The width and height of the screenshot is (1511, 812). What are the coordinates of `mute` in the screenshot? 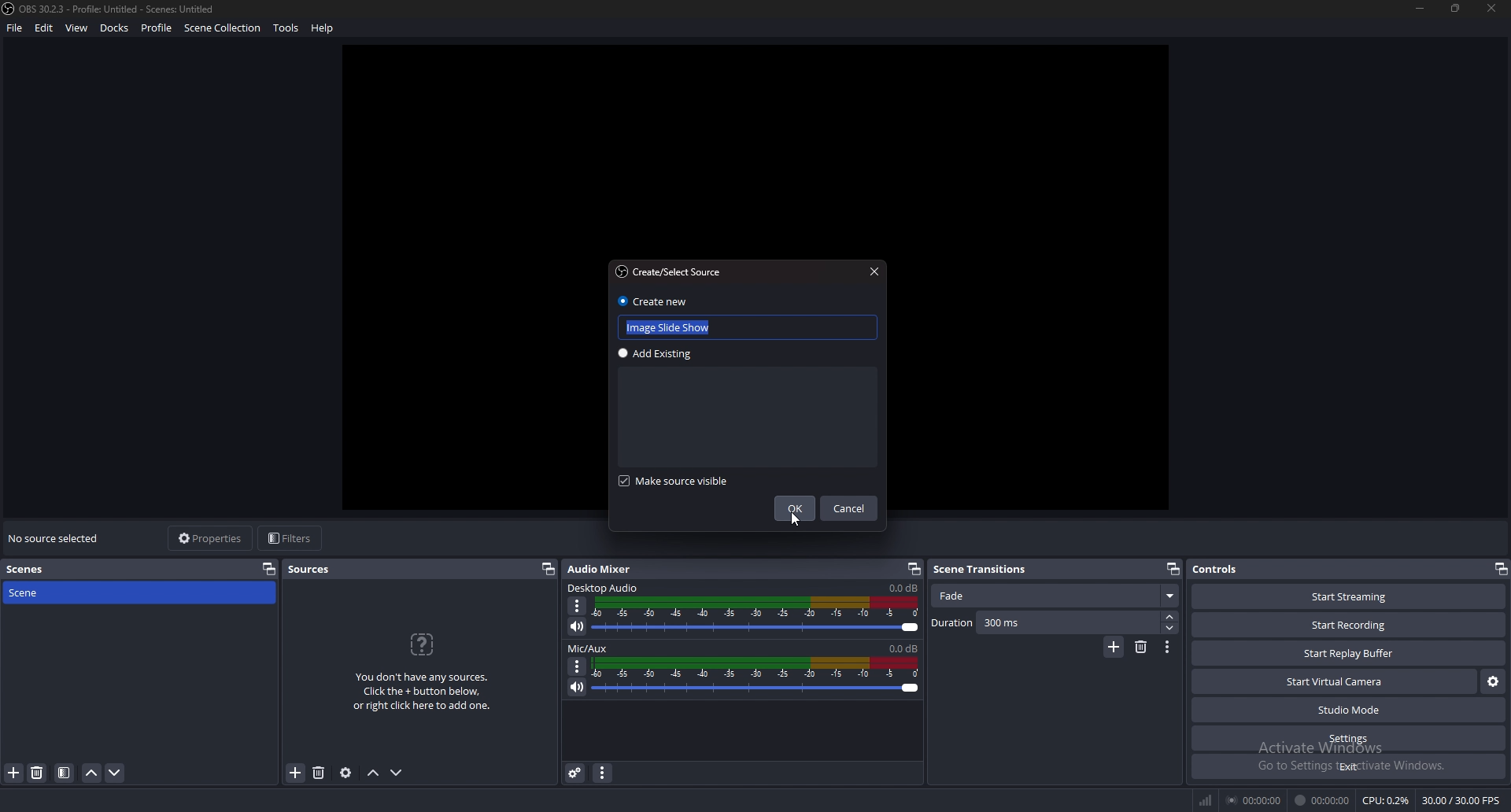 It's located at (578, 686).